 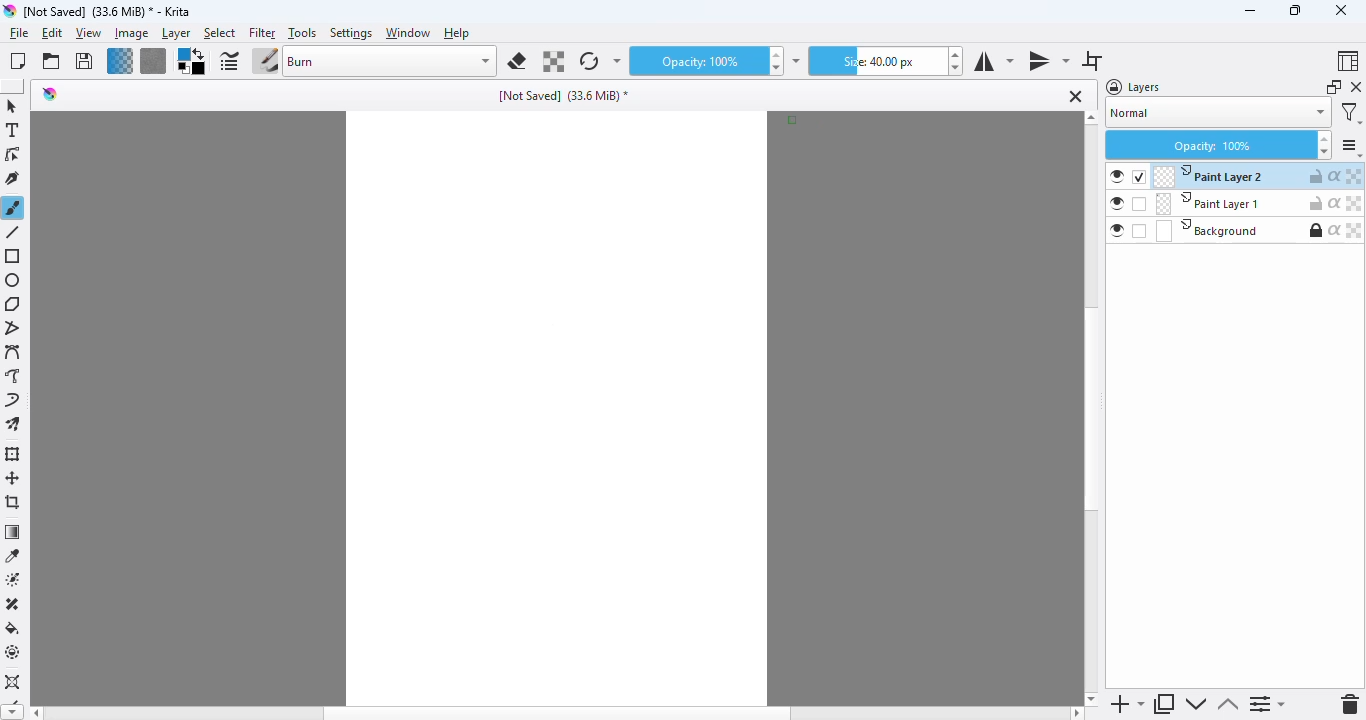 I want to click on delete the layer or mask, so click(x=1351, y=704).